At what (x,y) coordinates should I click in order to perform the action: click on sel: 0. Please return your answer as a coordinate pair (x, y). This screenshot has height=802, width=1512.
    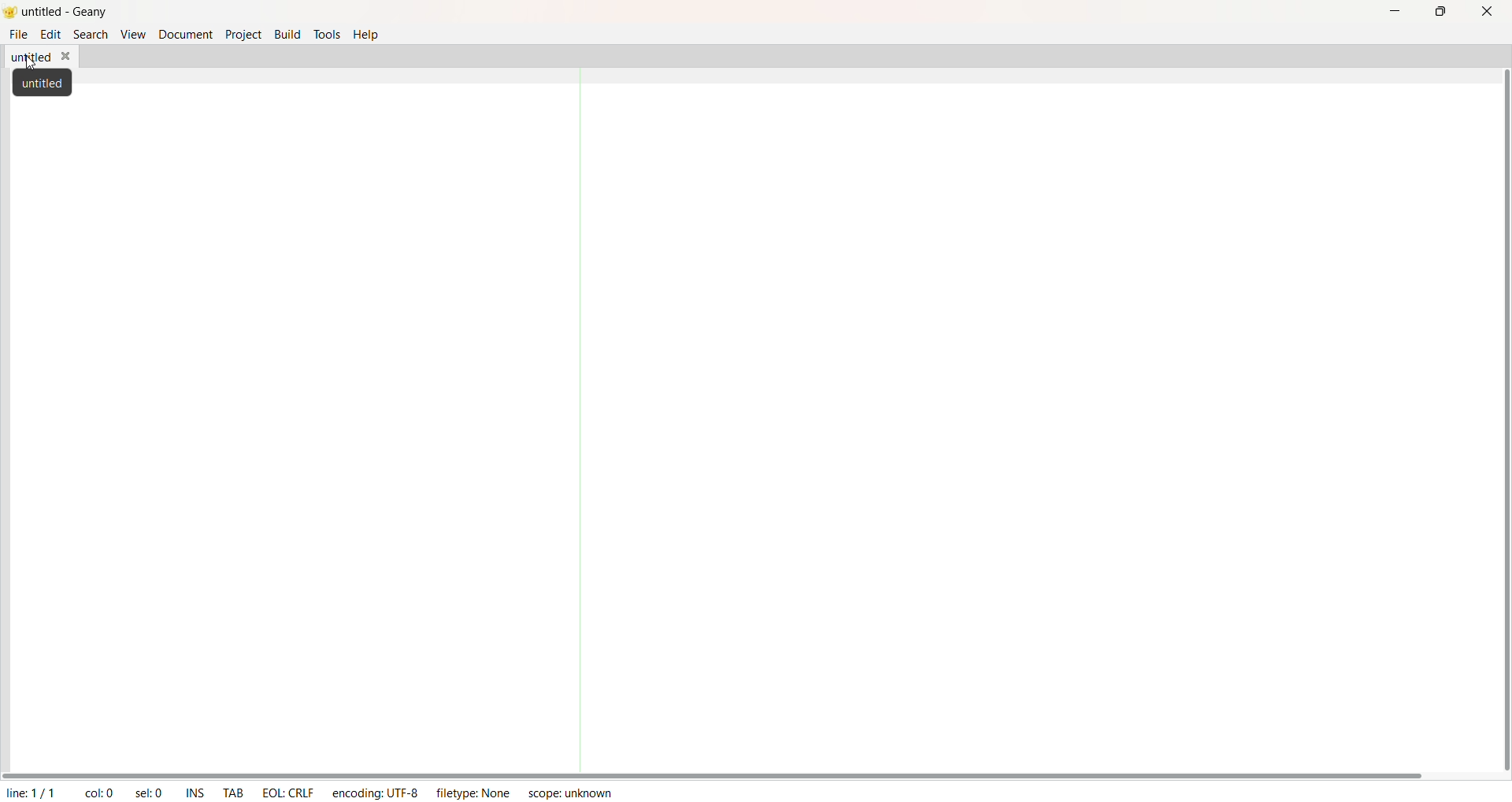
    Looking at the image, I should click on (150, 792).